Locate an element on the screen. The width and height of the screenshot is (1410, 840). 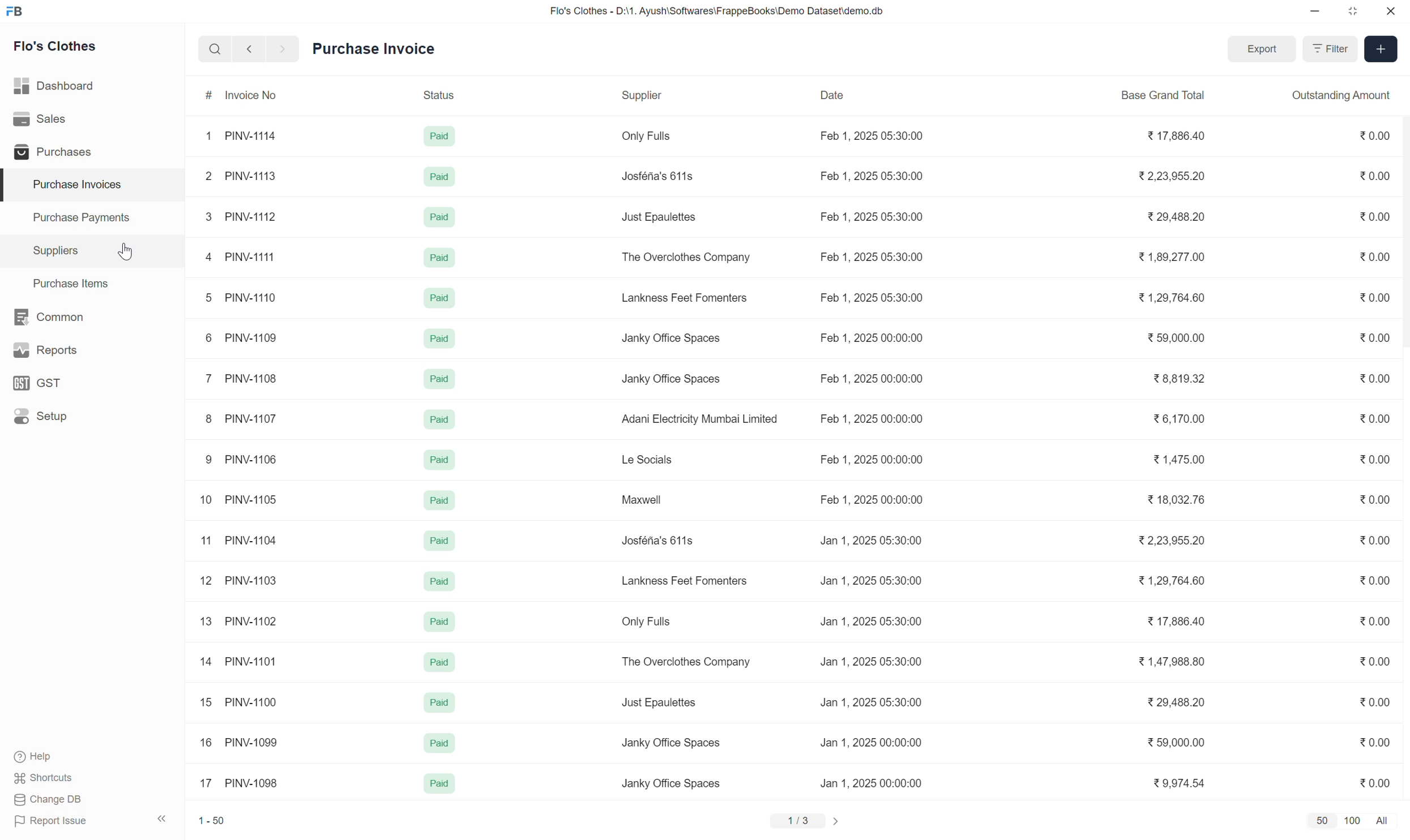
0.00 is located at coordinates (1374, 500).